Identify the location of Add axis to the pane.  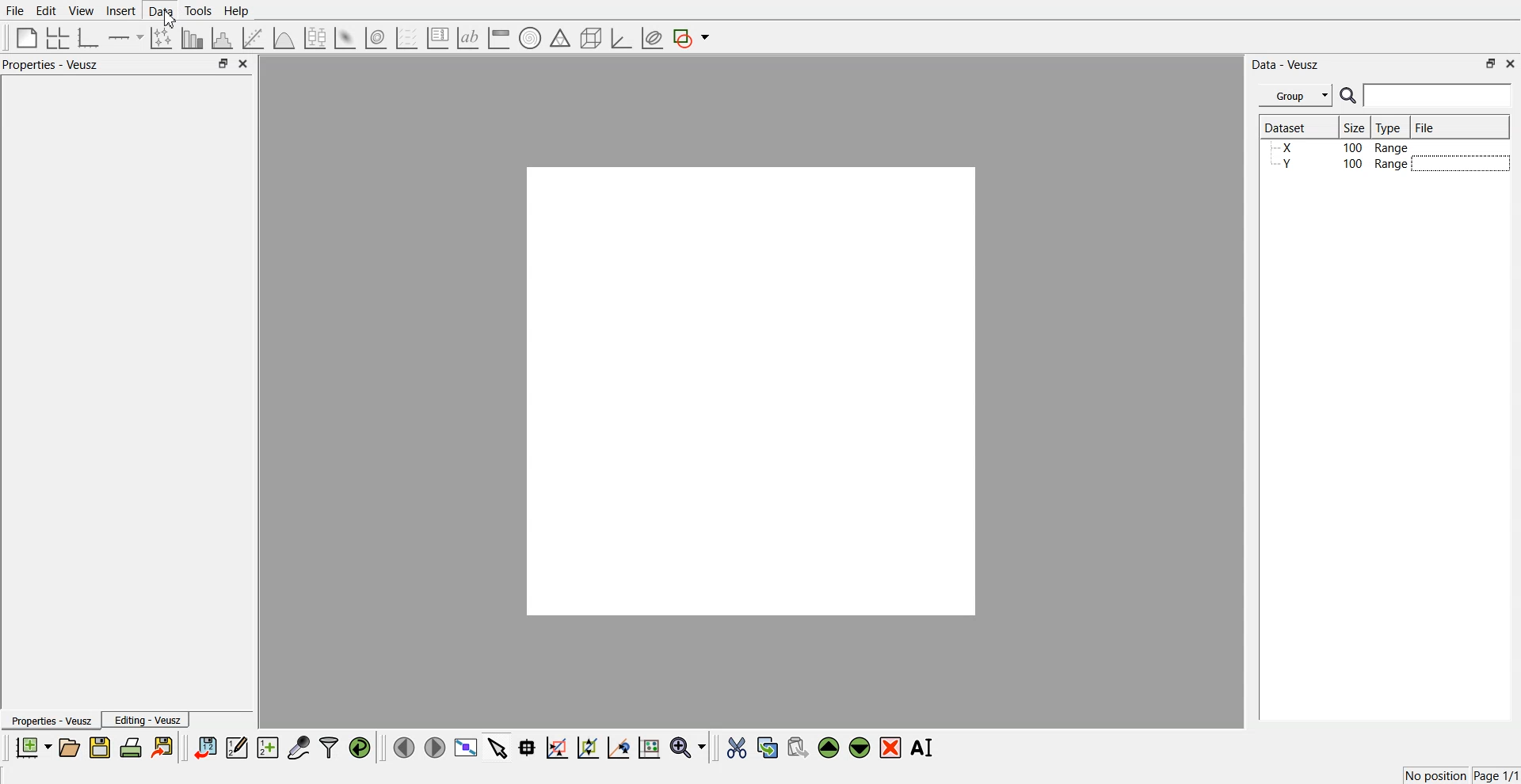
(125, 39).